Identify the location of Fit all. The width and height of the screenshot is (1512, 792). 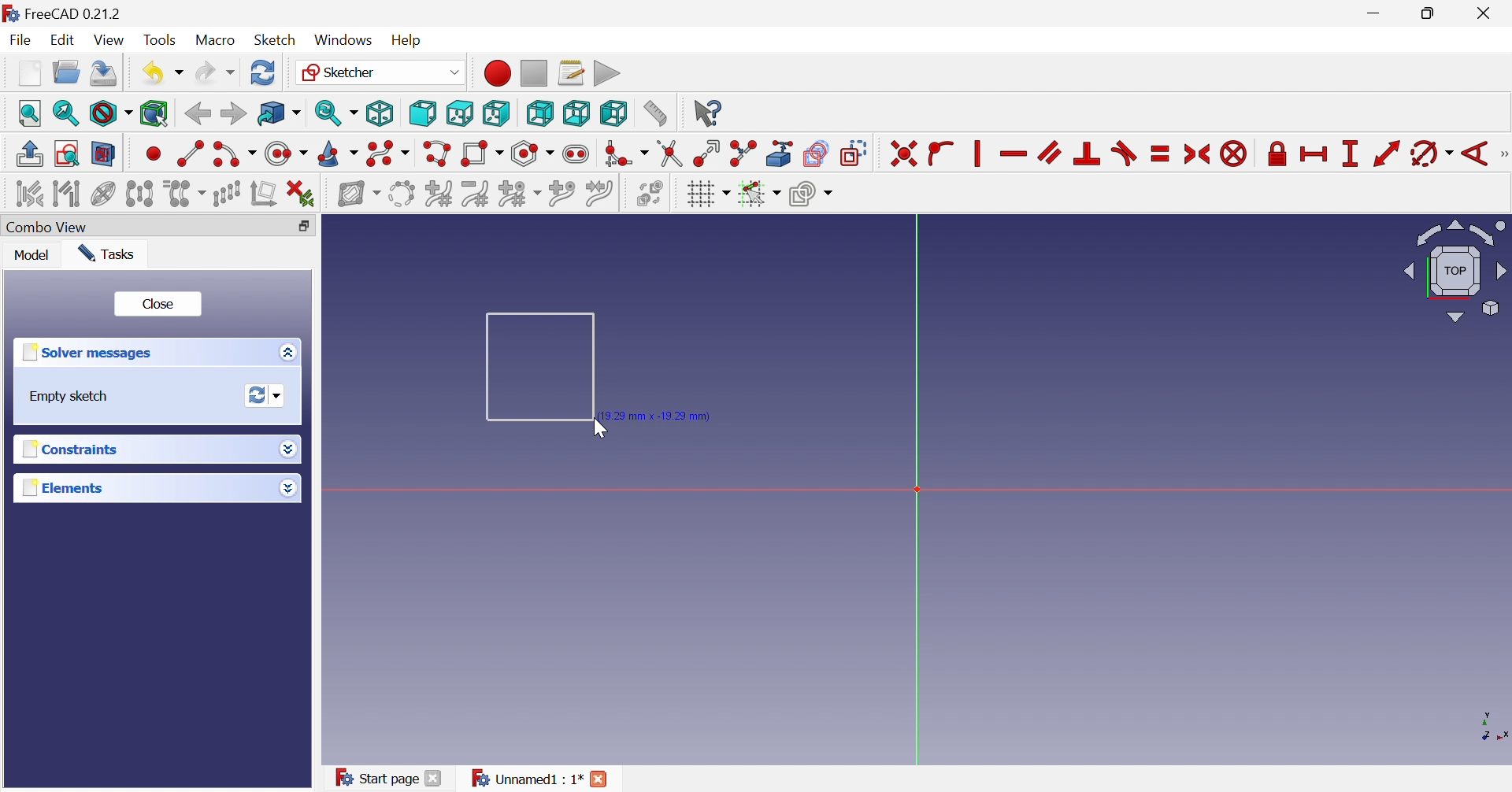
(31, 113).